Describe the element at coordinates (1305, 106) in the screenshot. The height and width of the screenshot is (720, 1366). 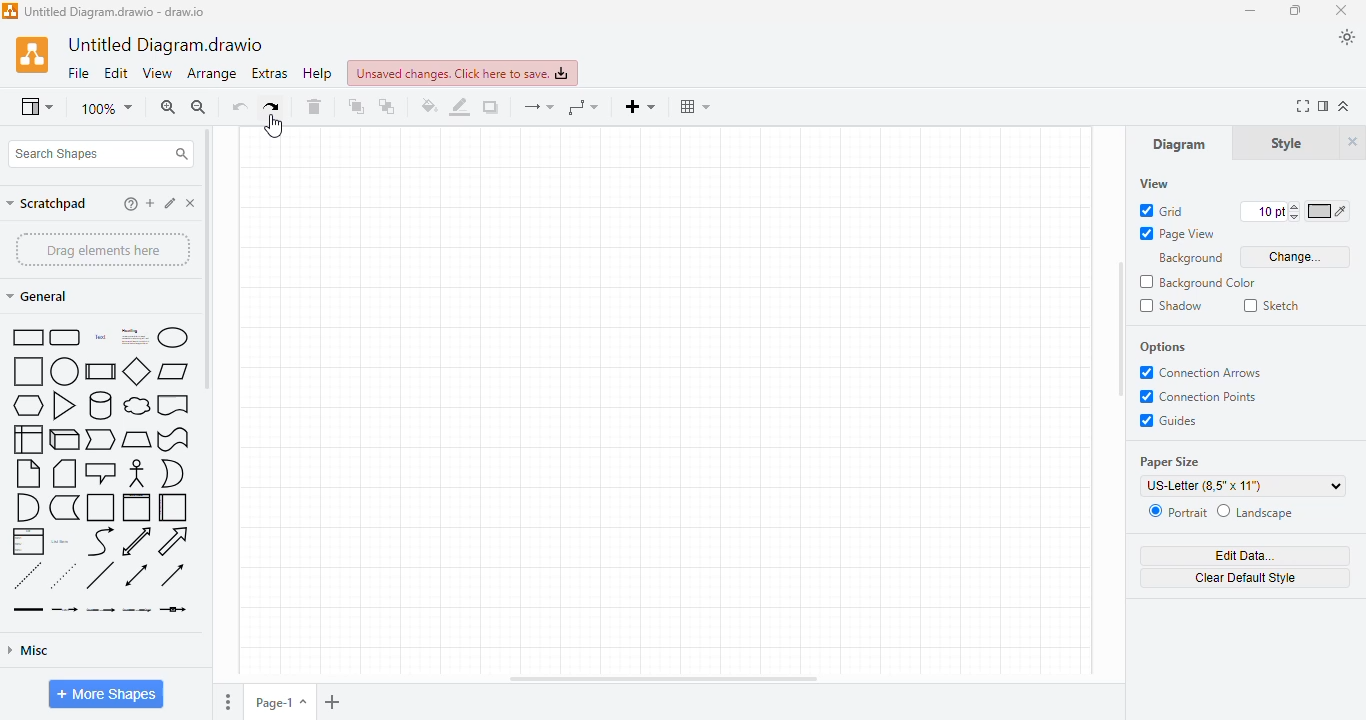
I see `full screen` at that location.